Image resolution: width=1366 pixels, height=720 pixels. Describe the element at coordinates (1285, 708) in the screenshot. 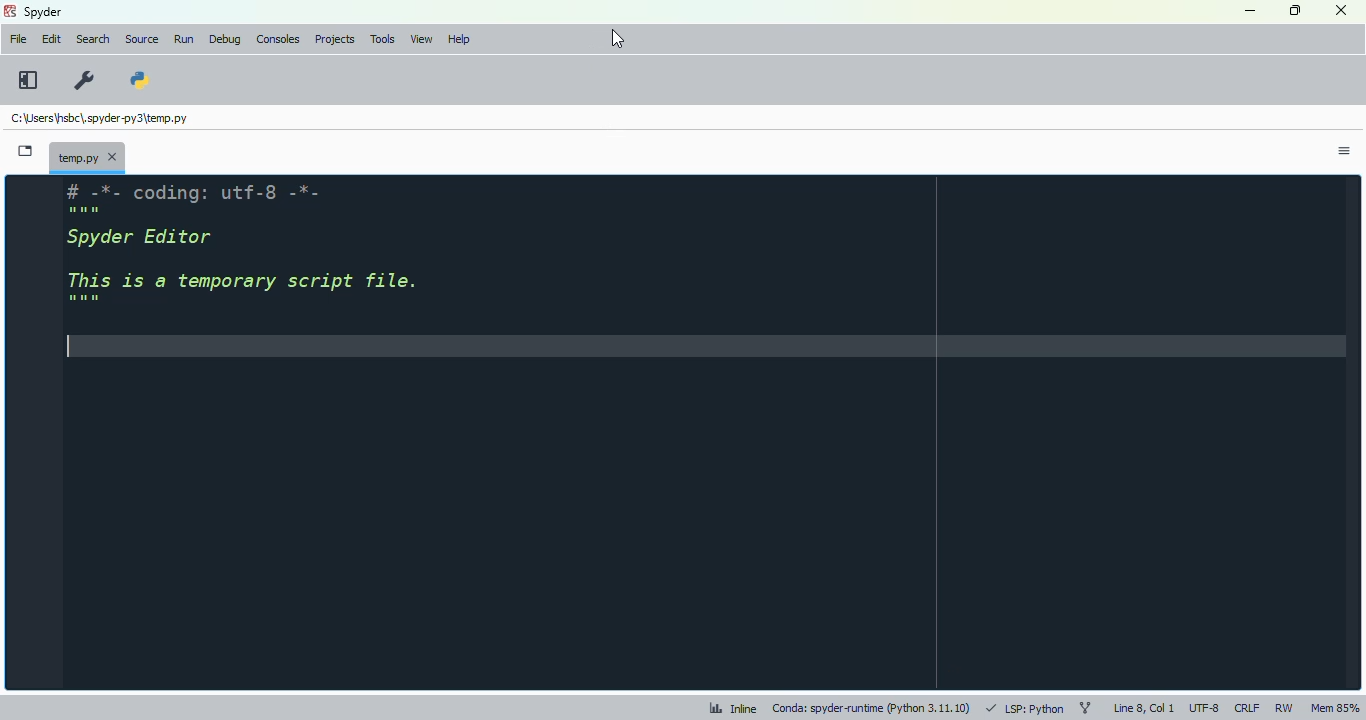

I see `RW` at that location.